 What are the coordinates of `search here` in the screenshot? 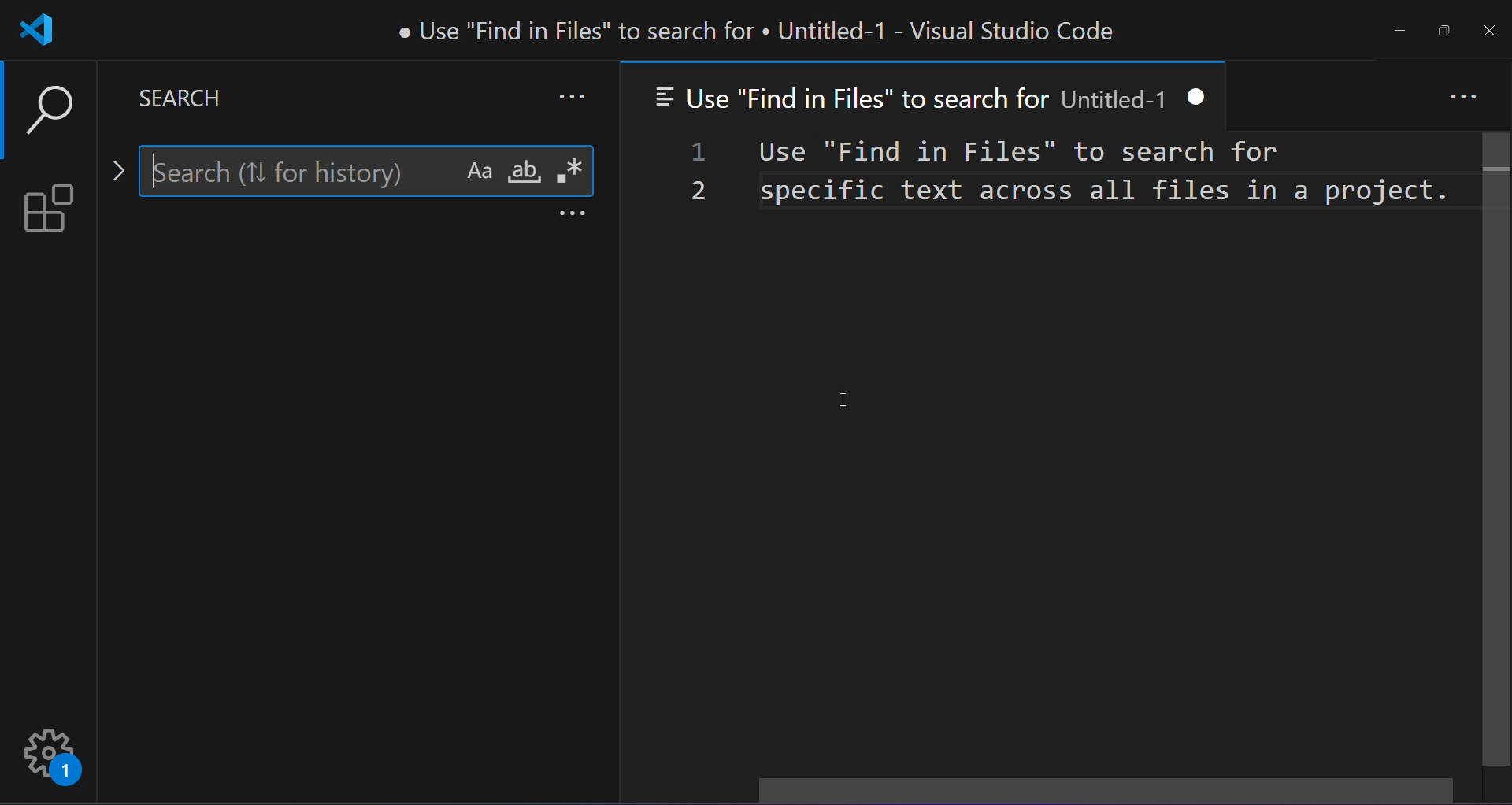 It's located at (282, 171).